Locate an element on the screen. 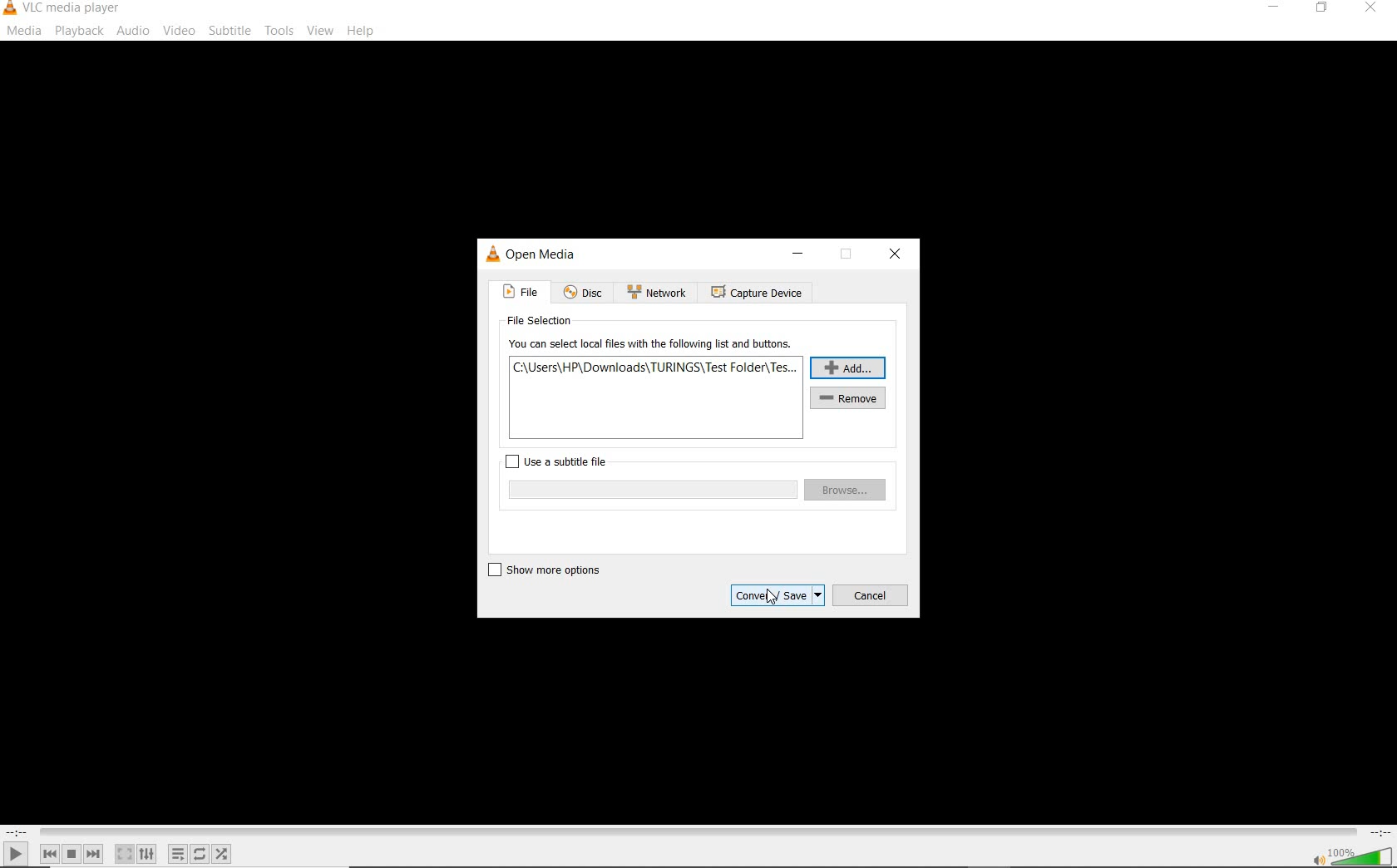 Image resolution: width=1397 pixels, height=868 pixels. use a subtitle file is located at coordinates (560, 461).